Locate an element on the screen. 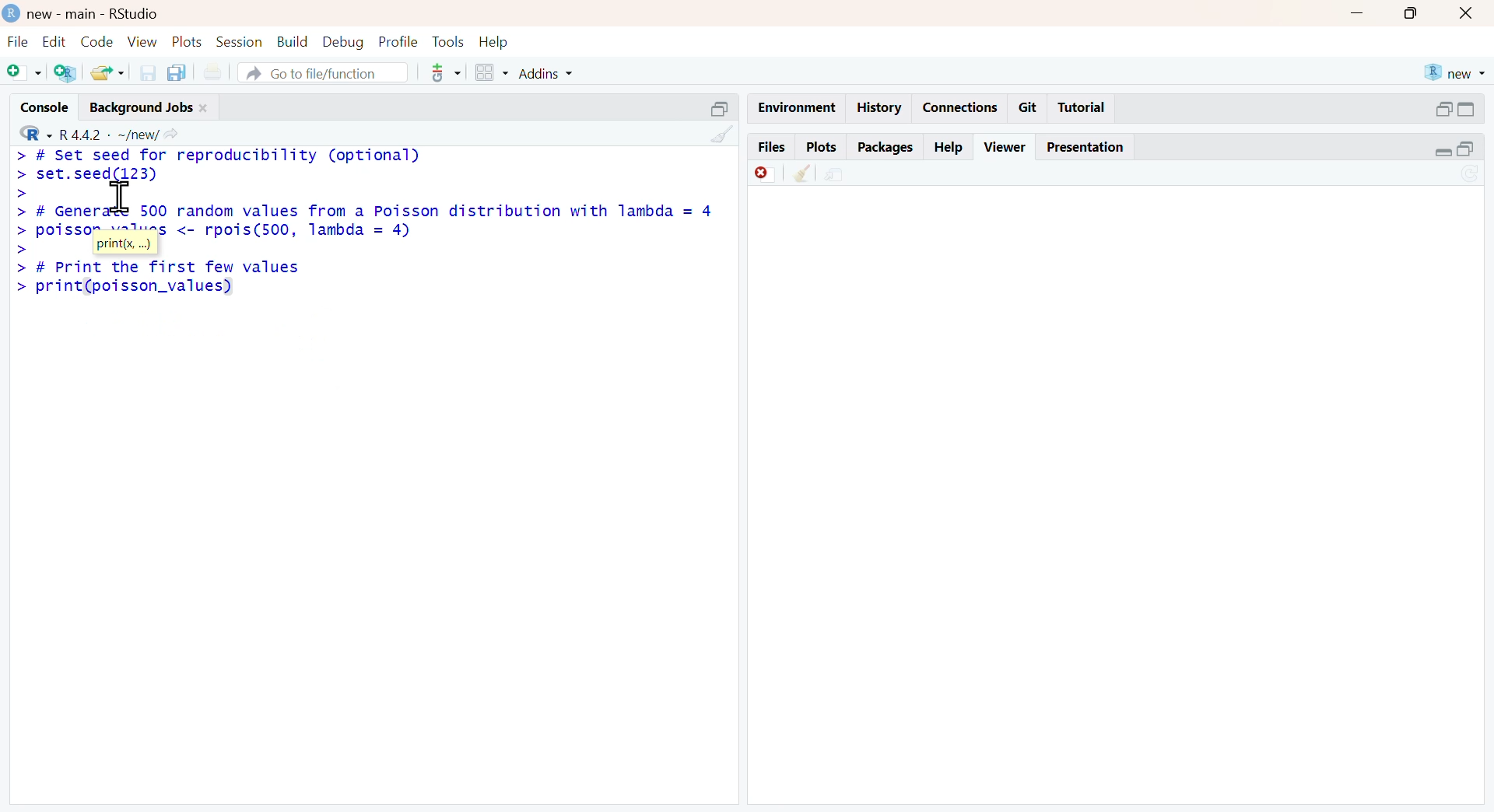 The width and height of the screenshot is (1494, 812). history is located at coordinates (881, 107).